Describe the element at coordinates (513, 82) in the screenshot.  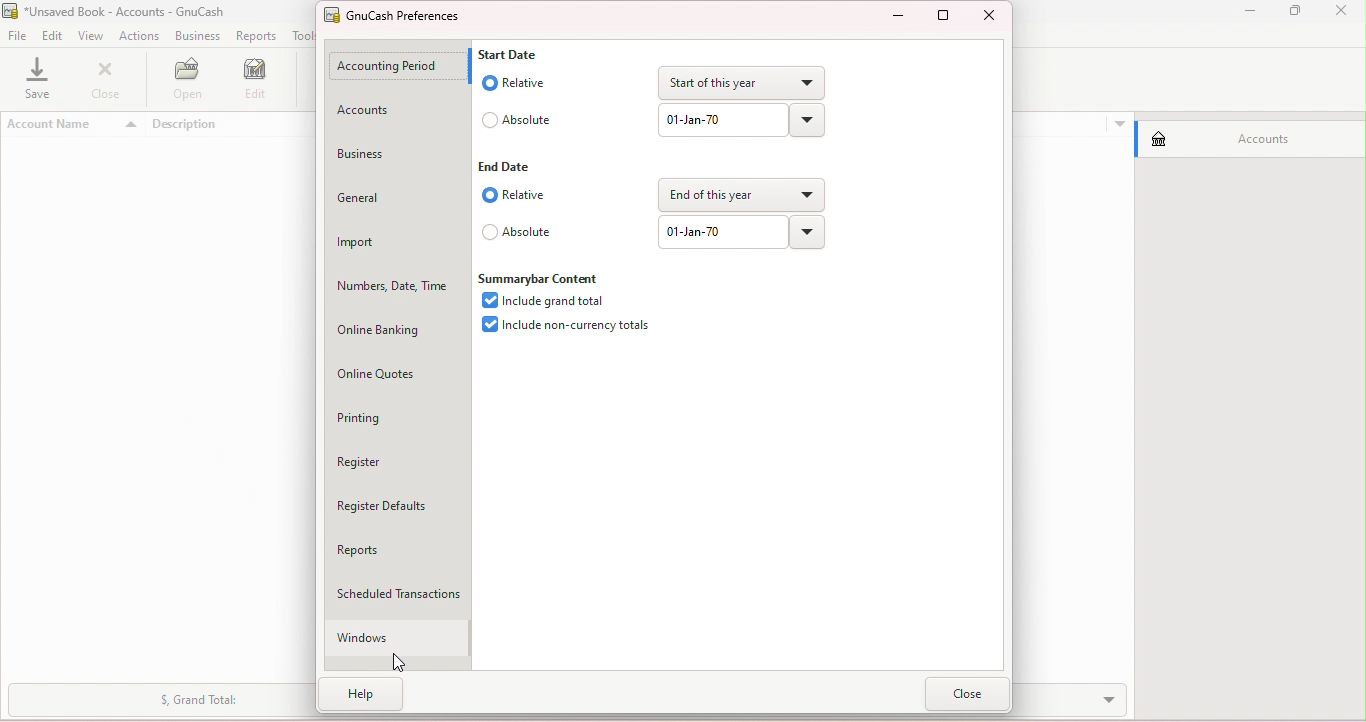
I see `Relative` at that location.